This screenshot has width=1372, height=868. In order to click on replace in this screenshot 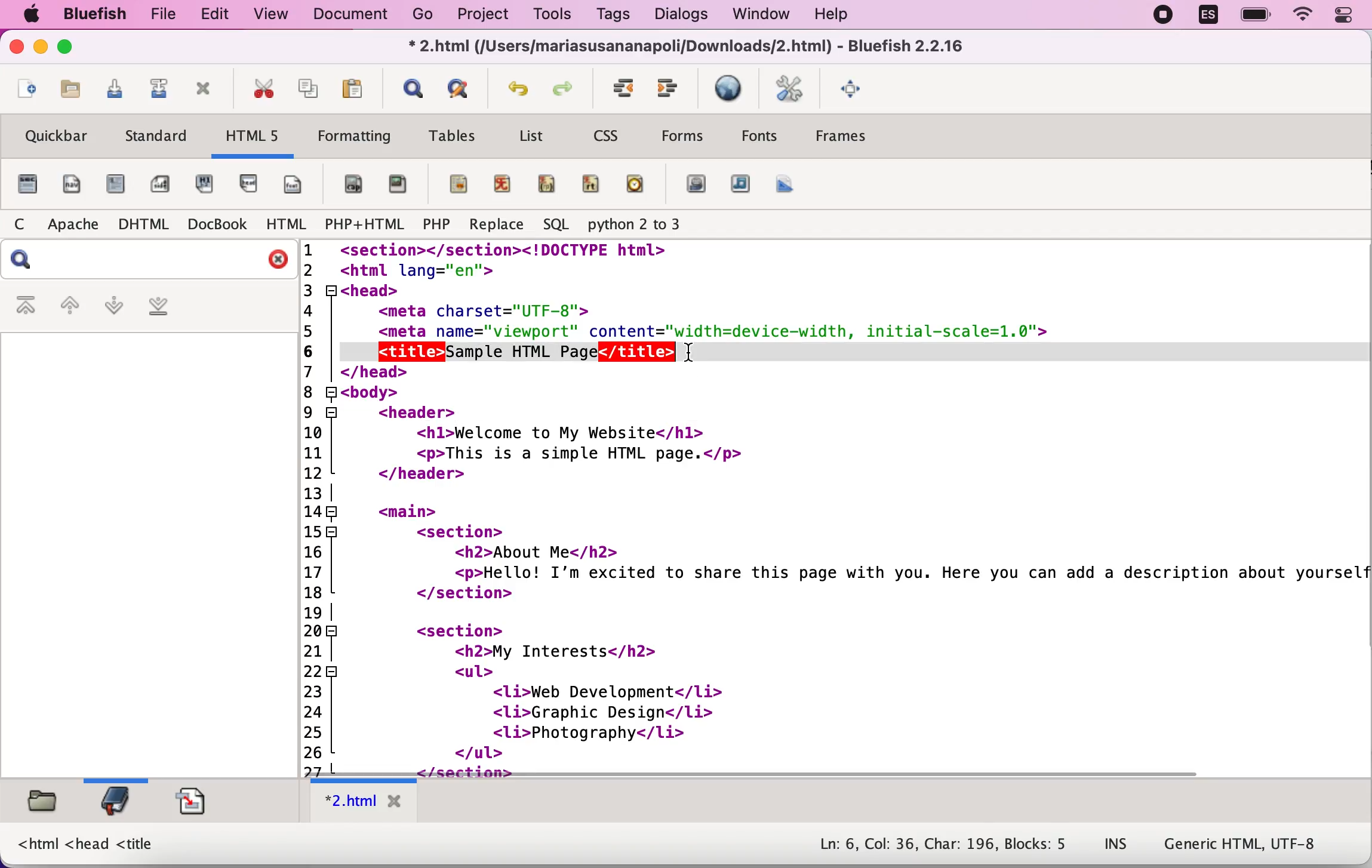, I will do `click(494, 226)`.